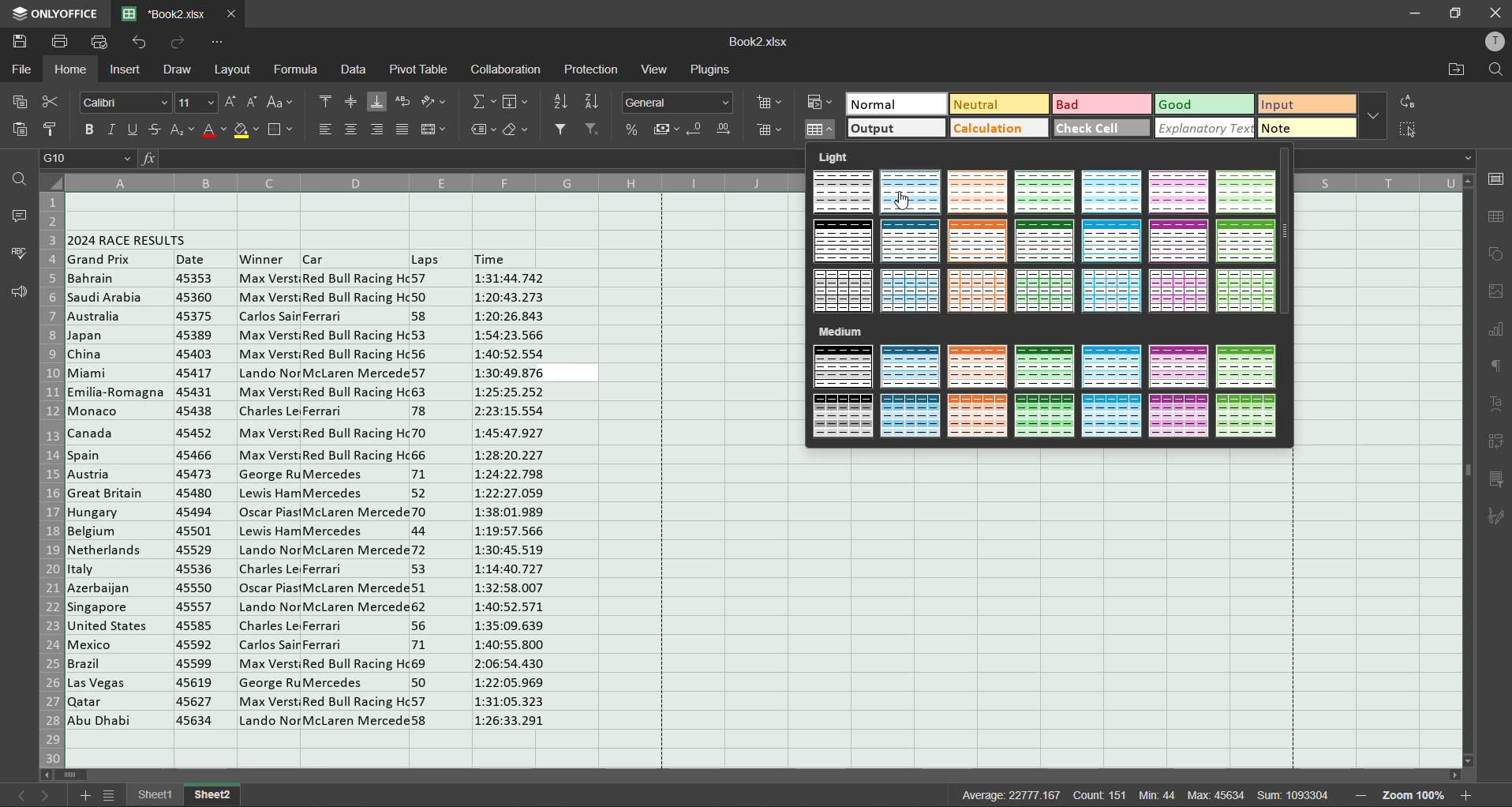  I want to click on previous, so click(15, 794).